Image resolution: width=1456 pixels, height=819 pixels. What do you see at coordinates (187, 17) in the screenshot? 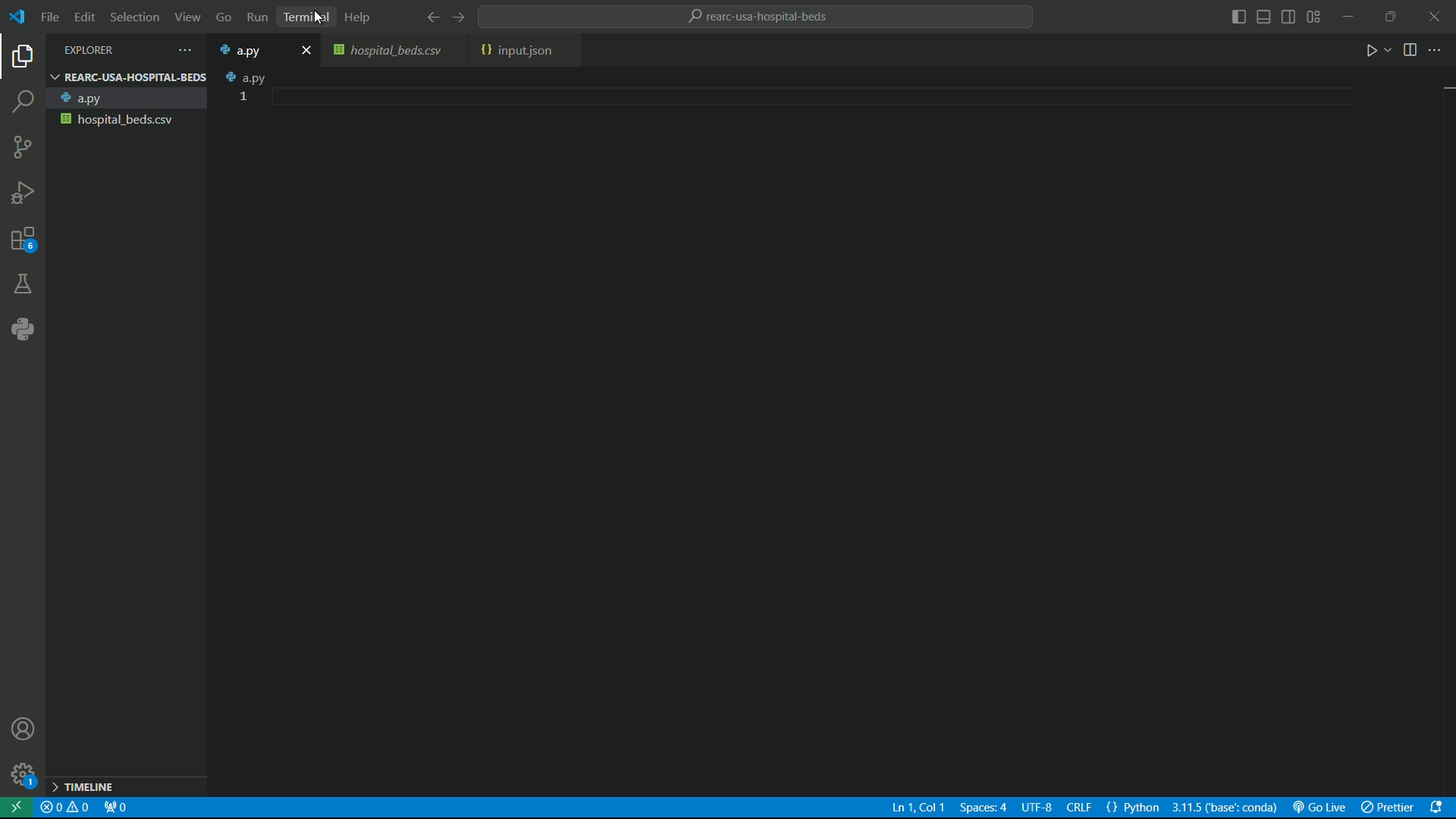
I see `view menu` at bounding box center [187, 17].